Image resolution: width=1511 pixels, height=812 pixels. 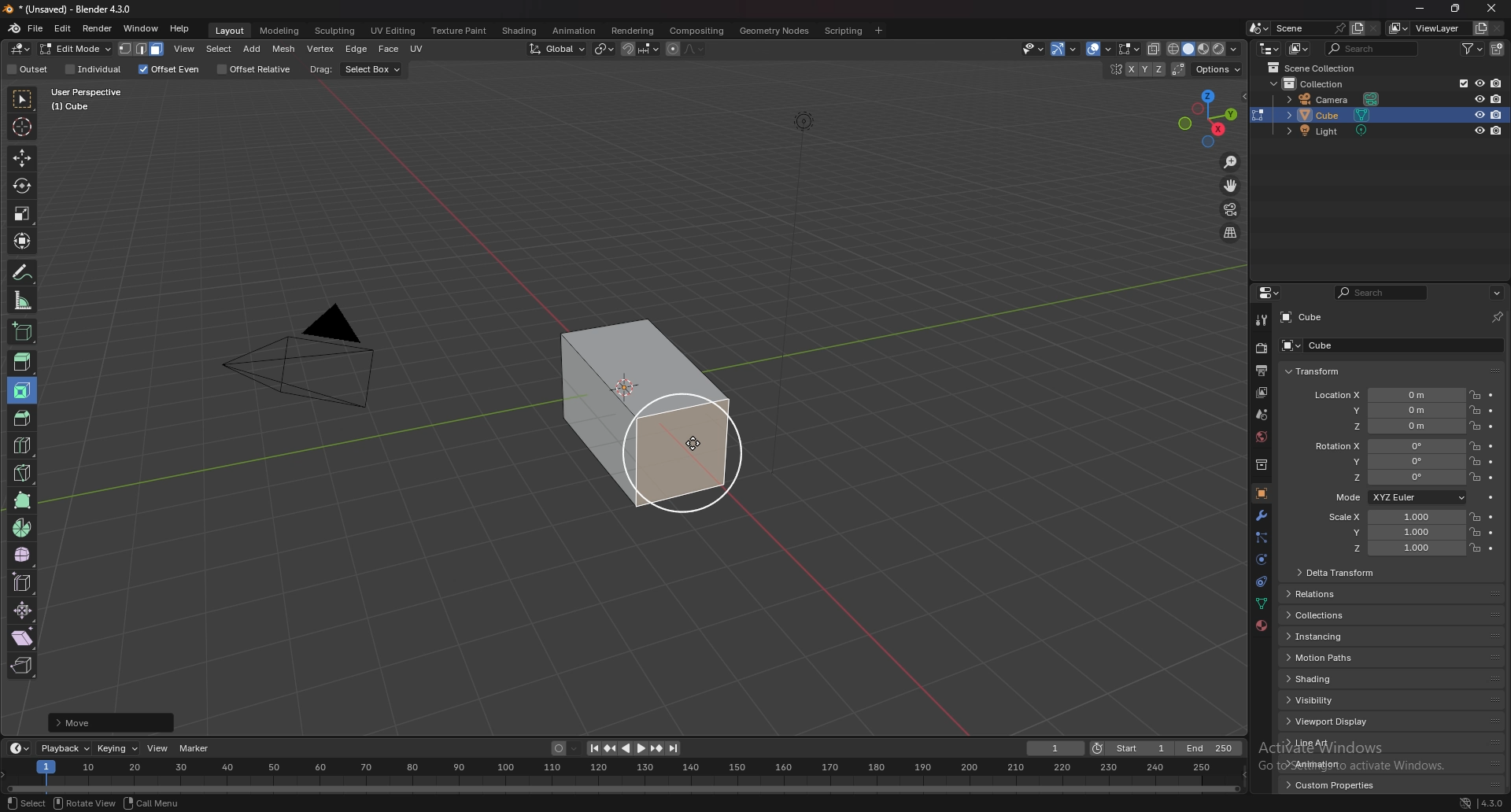 What do you see at coordinates (1475, 394) in the screenshot?
I see `lock` at bounding box center [1475, 394].